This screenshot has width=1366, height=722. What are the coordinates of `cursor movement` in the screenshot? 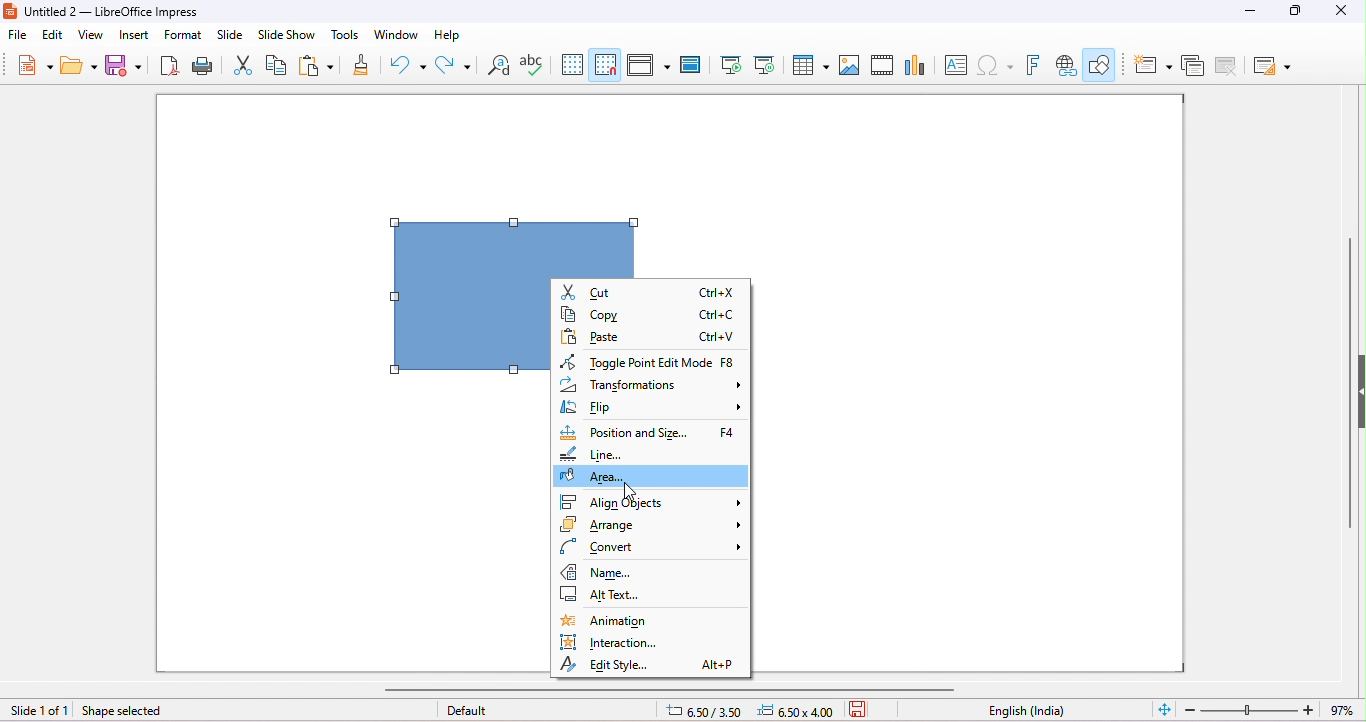 It's located at (631, 492).